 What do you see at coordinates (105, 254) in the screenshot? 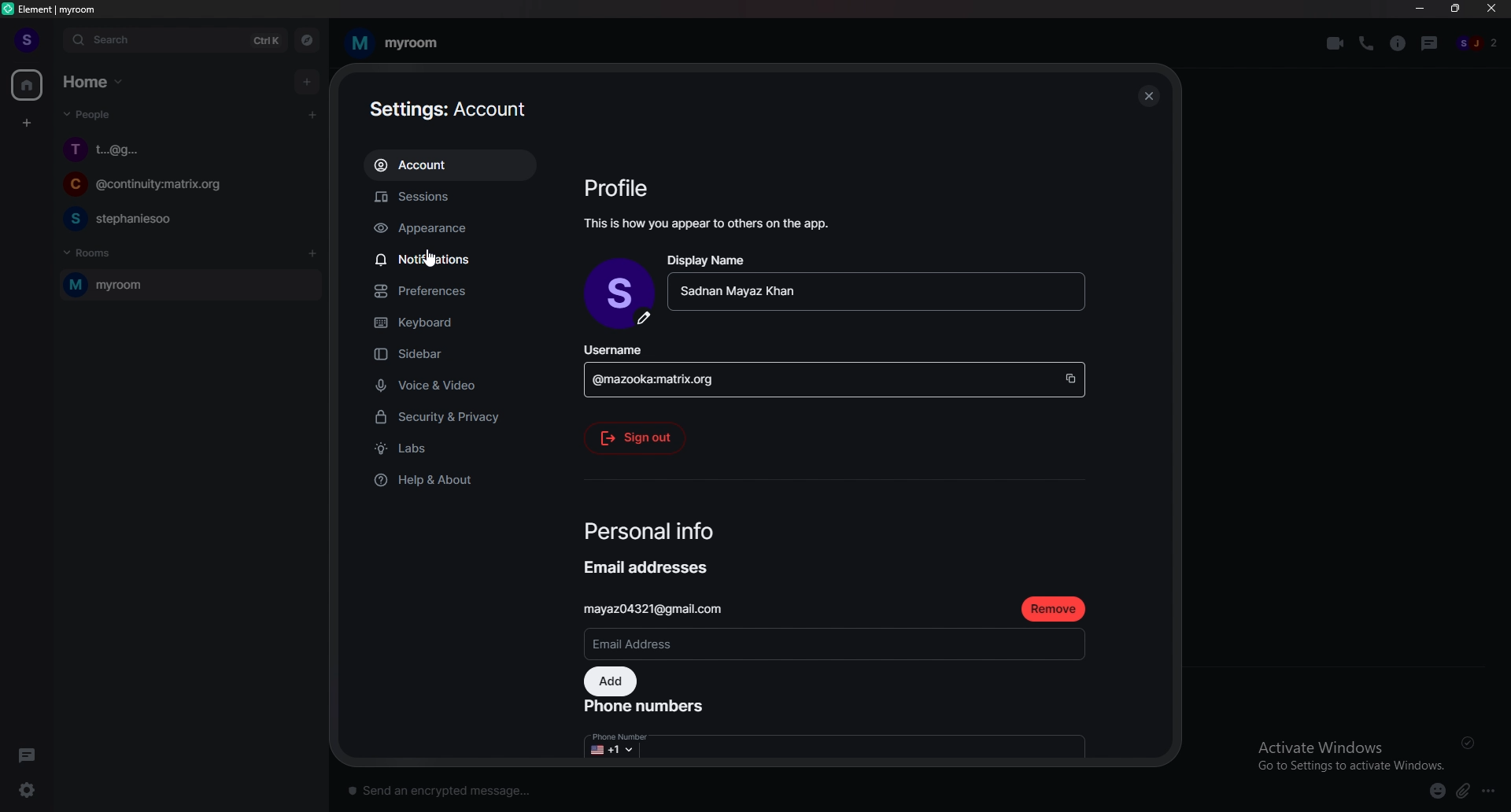
I see `rooms` at bounding box center [105, 254].